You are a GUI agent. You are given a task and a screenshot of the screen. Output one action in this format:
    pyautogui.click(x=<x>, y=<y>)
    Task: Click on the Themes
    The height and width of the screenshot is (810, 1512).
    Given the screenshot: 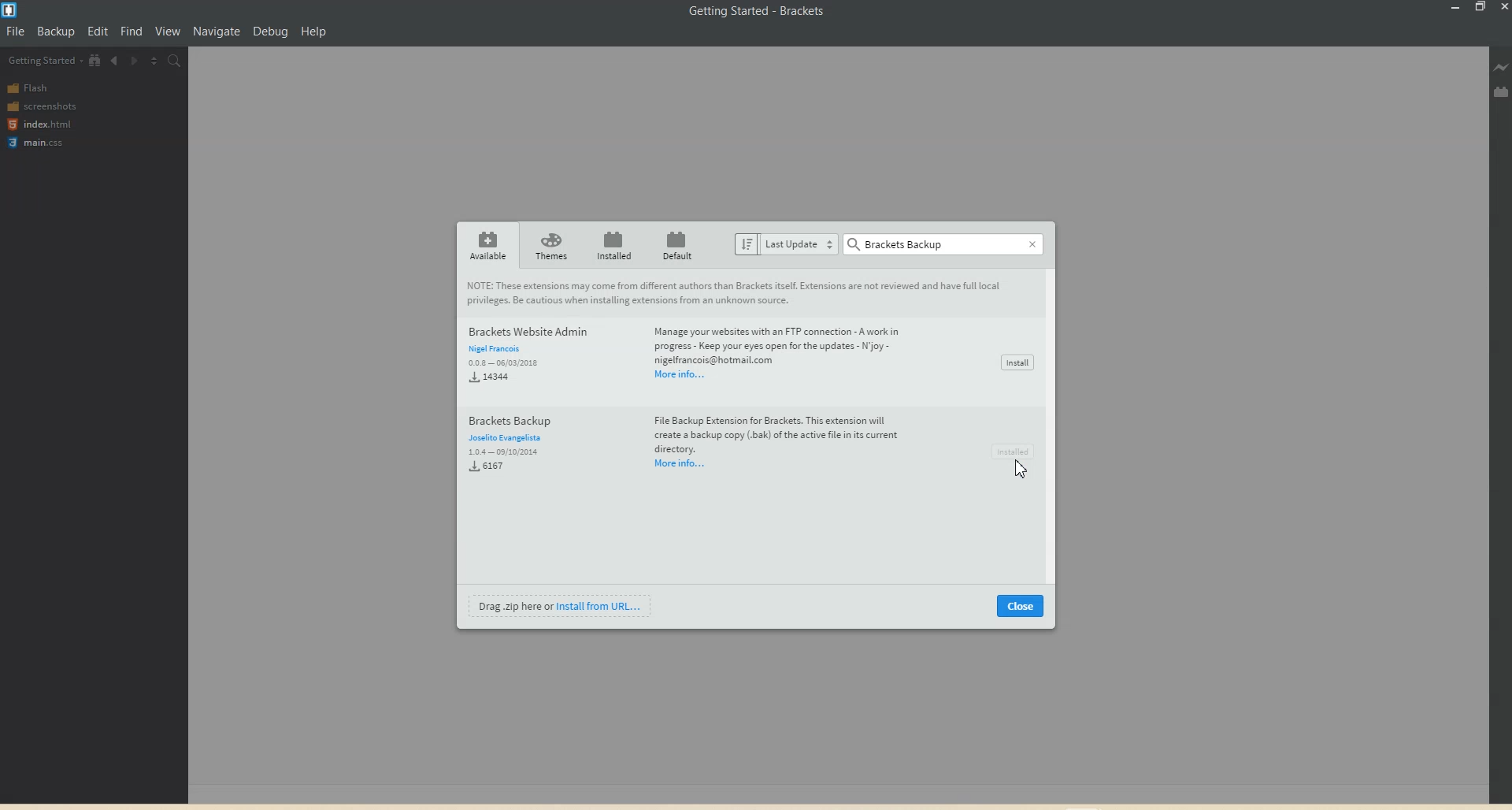 What is the action you would take?
    pyautogui.click(x=550, y=245)
    